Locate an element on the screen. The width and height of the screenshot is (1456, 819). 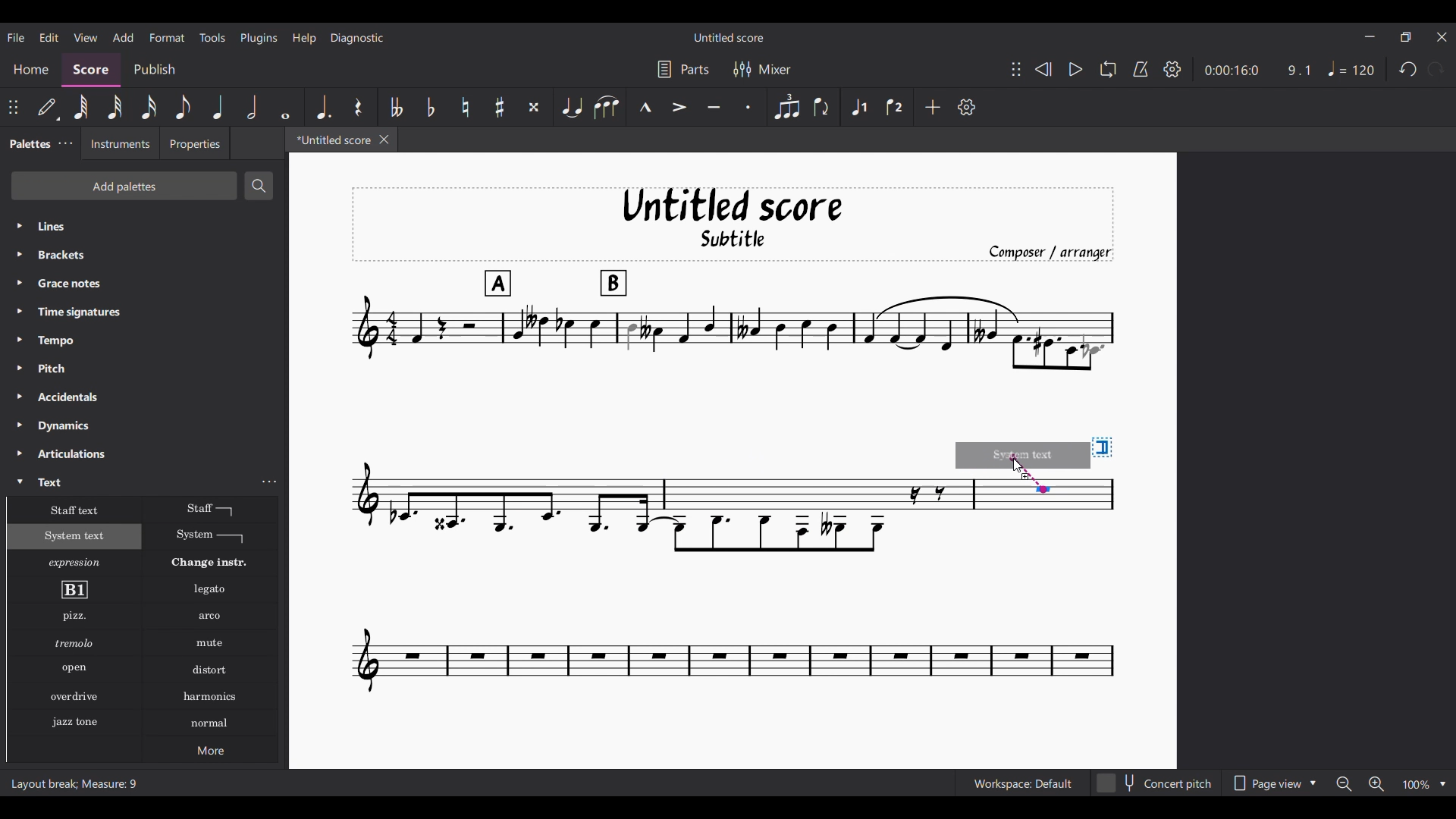
Tools menu is located at coordinates (212, 37).